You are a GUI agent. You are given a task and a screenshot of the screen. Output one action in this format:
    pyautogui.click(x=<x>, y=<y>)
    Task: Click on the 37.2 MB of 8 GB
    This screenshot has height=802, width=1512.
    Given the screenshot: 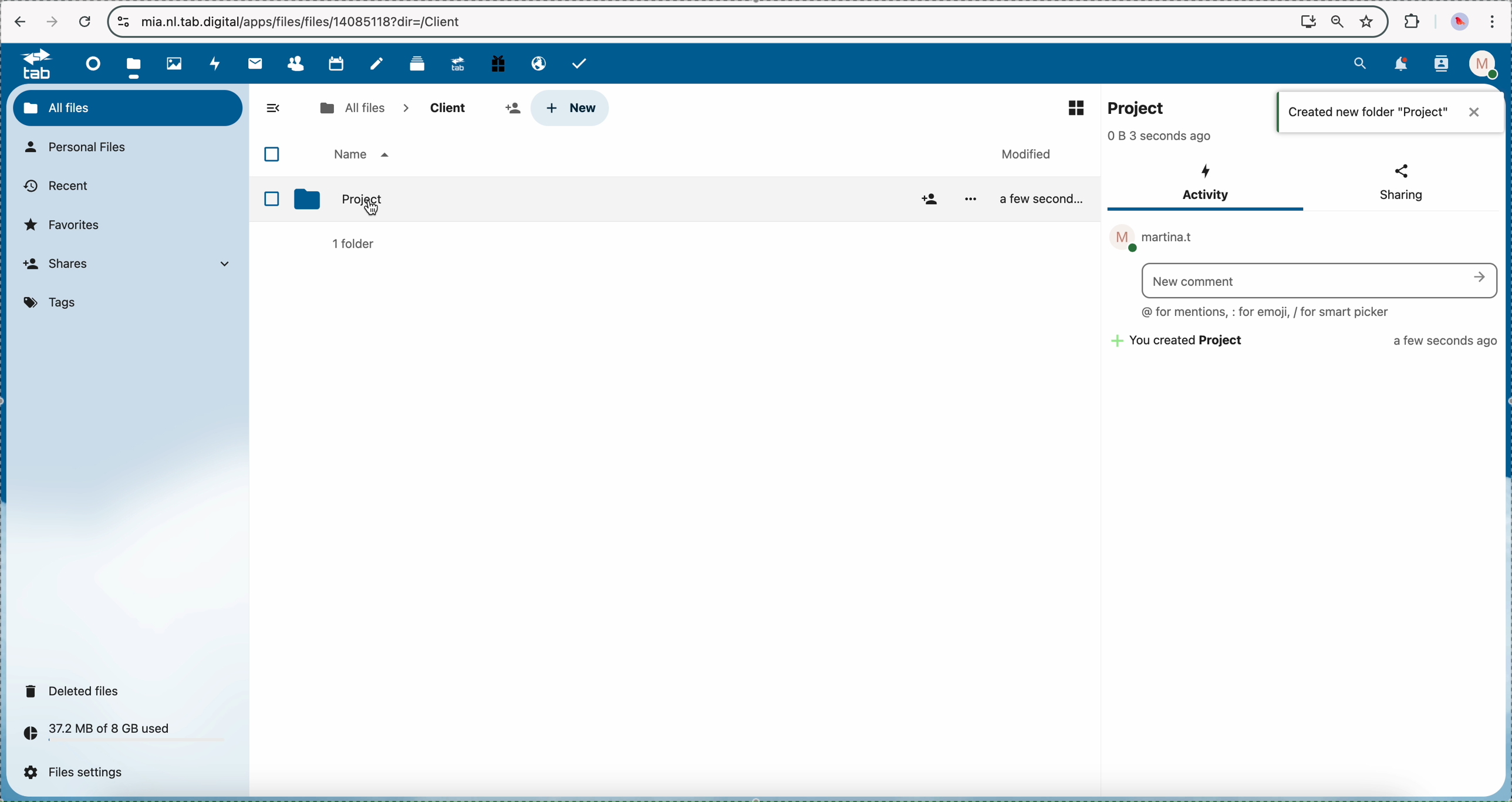 What is the action you would take?
    pyautogui.click(x=93, y=735)
    